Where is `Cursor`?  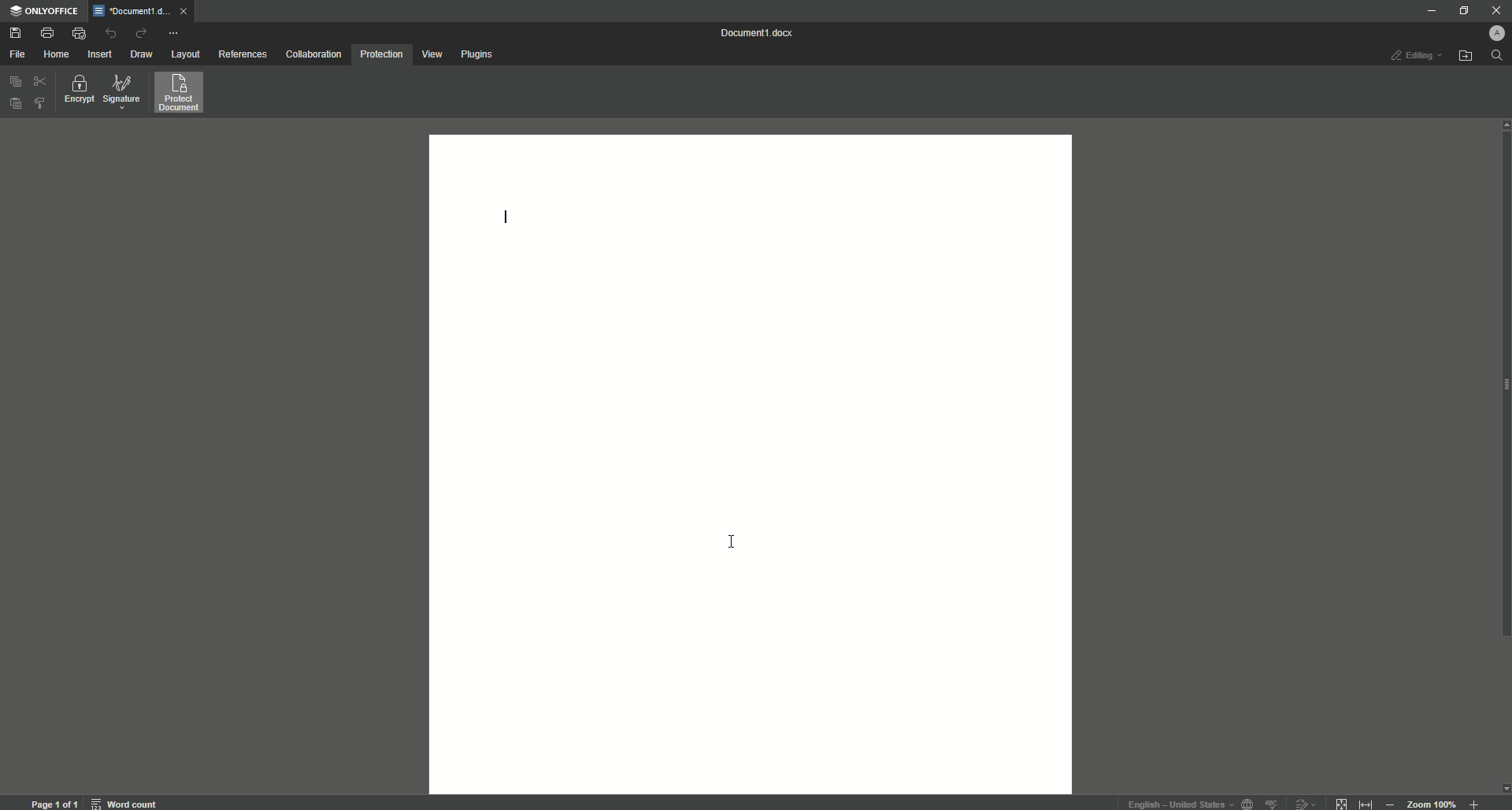 Cursor is located at coordinates (728, 543).